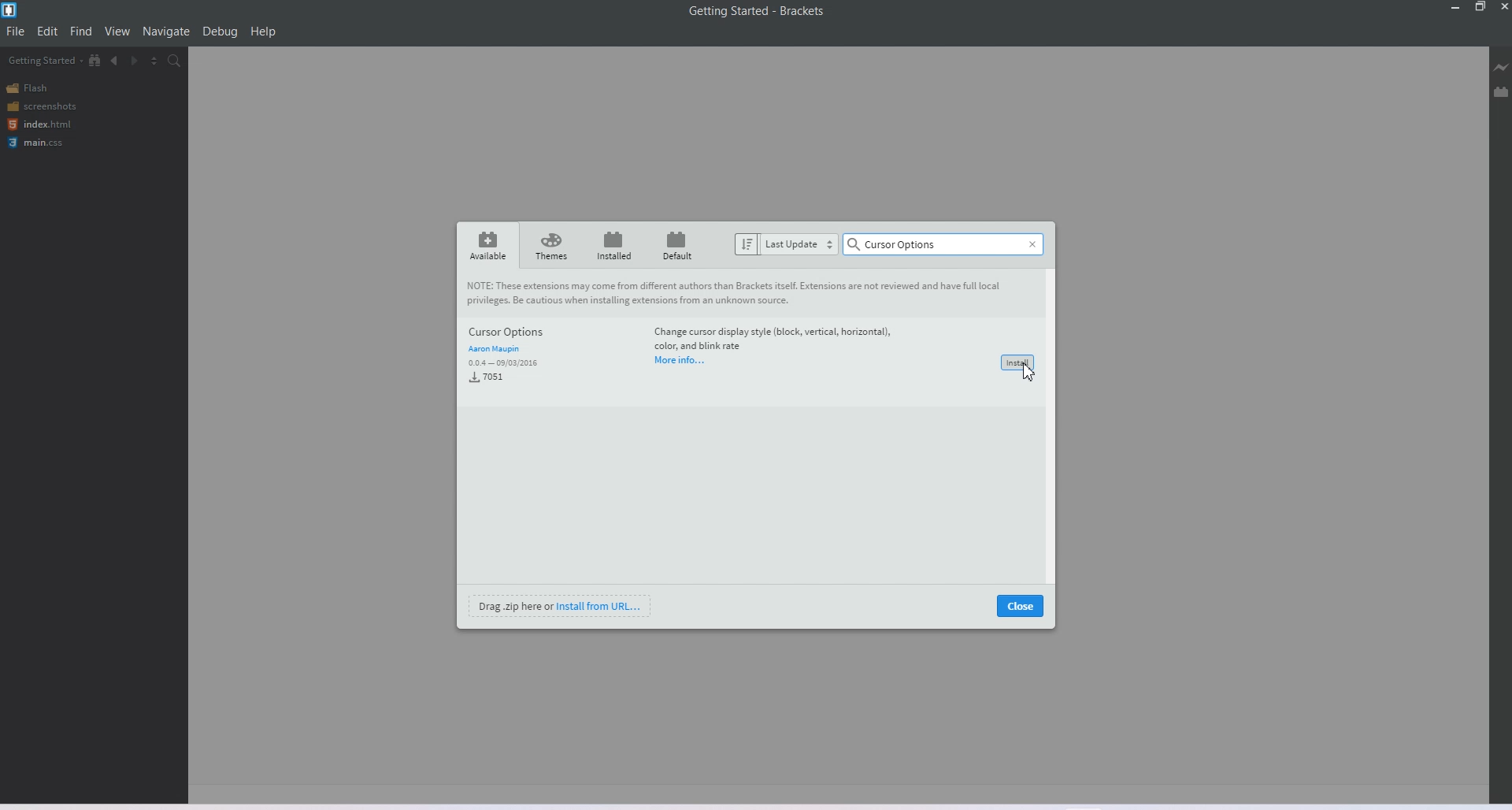 This screenshot has width=1512, height=810. I want to click on cursor options, so click(550, 333).